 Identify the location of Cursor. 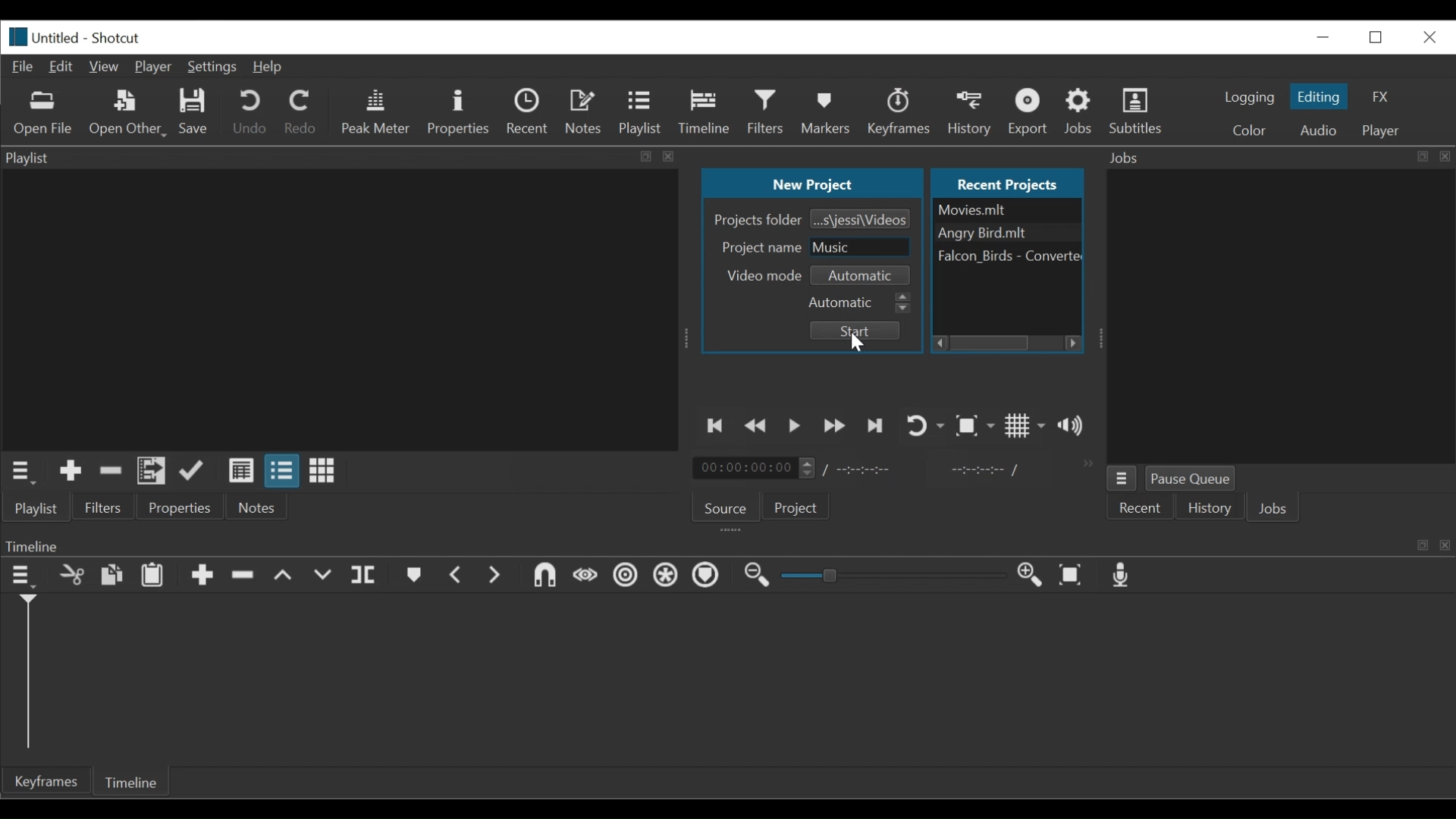
(861, 344).